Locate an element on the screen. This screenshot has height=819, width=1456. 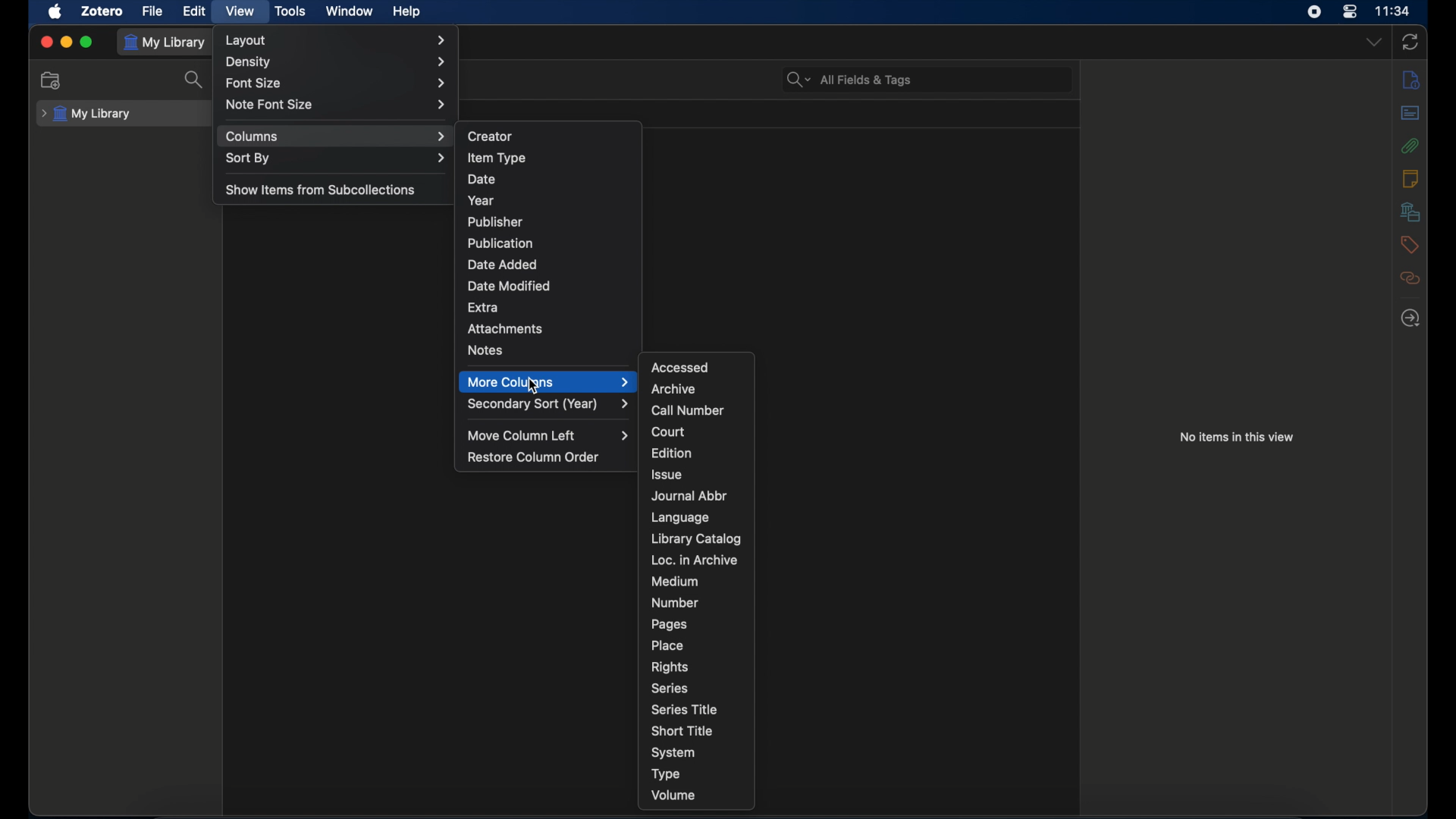
more columns is located at coordinates (549, 381).